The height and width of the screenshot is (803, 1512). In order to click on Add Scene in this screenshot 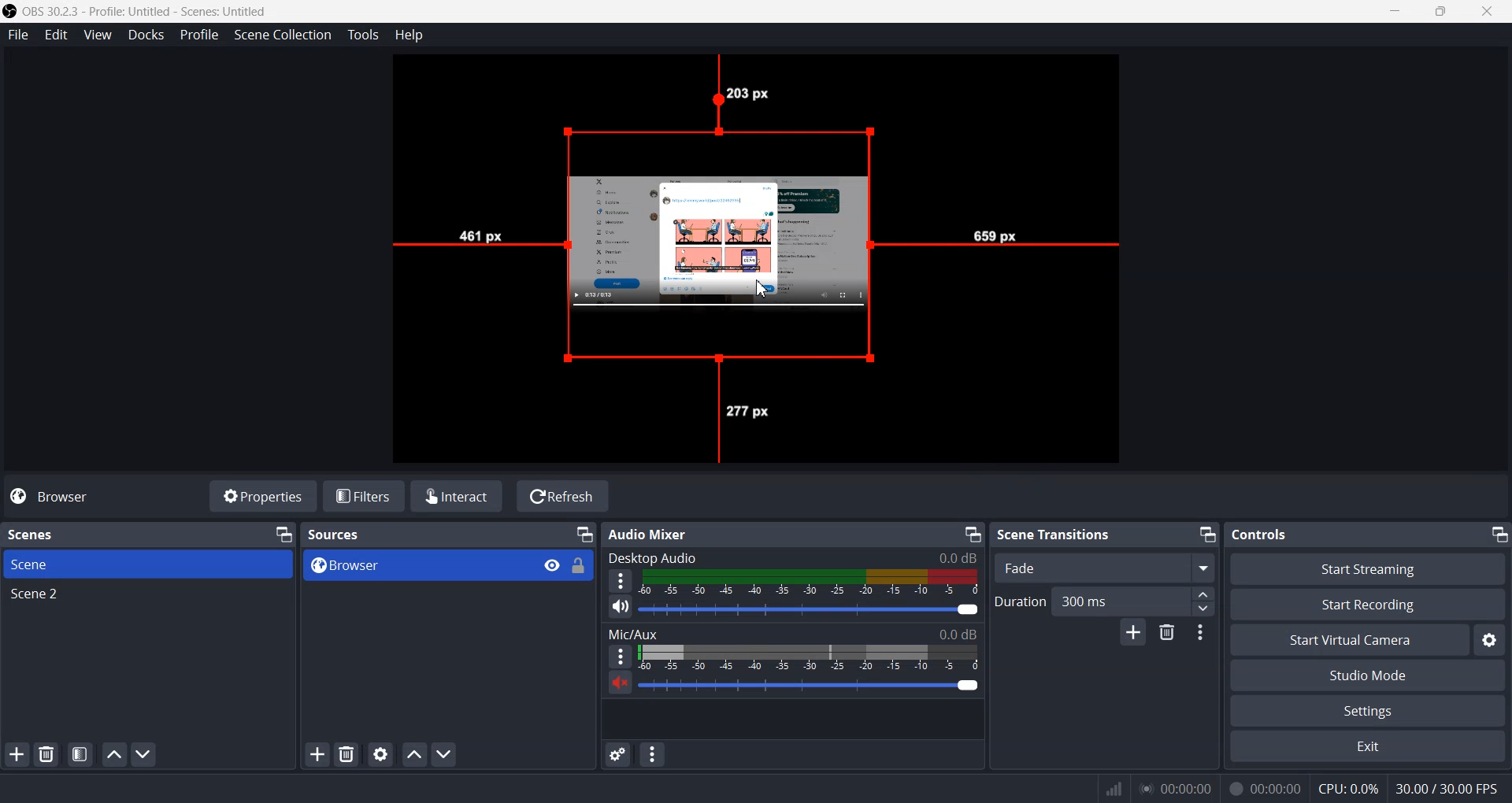, I will do `click(17, 754)`.